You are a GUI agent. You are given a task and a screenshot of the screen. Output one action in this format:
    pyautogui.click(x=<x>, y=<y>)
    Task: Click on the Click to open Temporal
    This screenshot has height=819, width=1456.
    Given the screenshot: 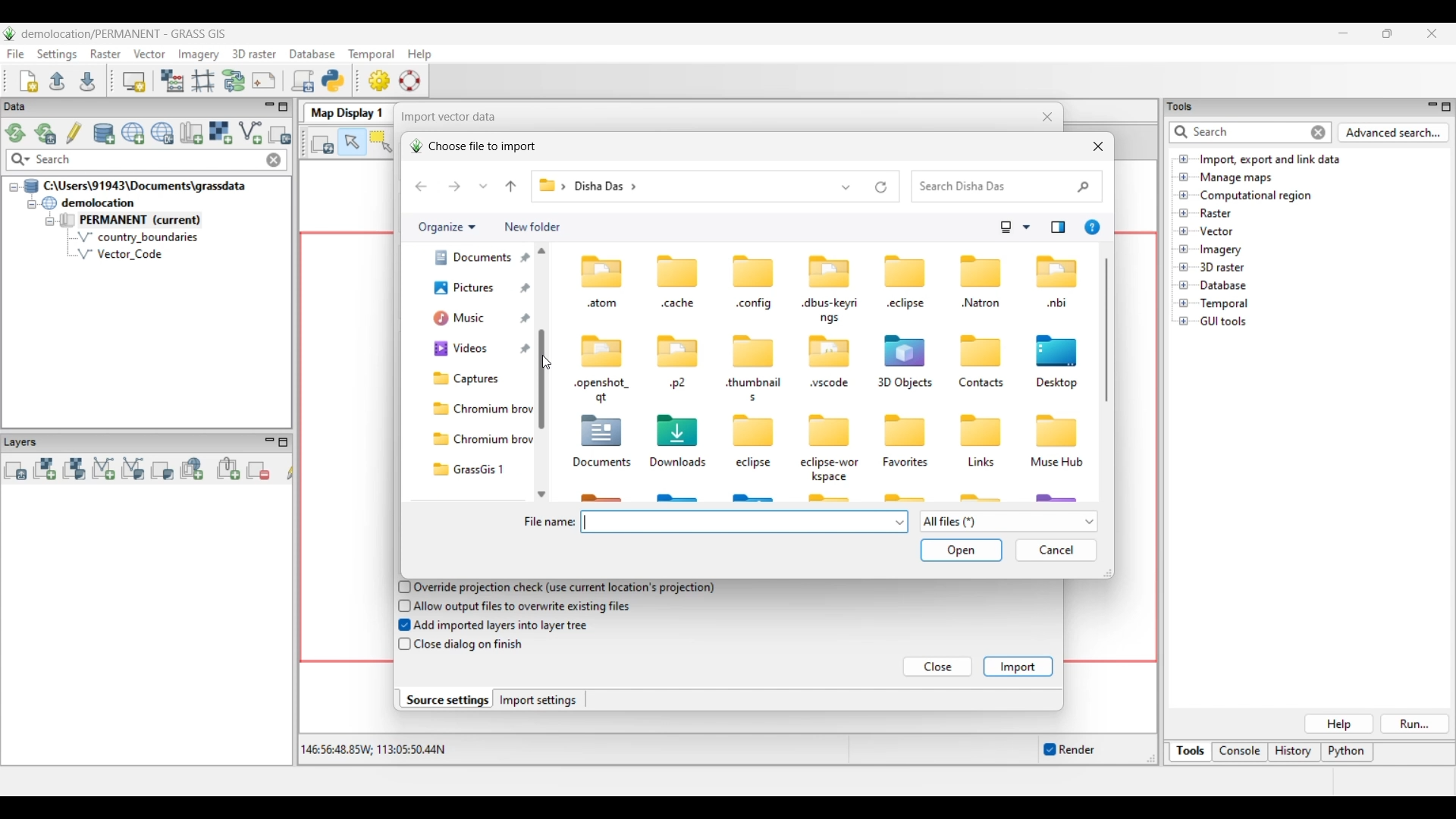 What is the action you would take?
    pyautogui.click(x=1184, y=303)
    